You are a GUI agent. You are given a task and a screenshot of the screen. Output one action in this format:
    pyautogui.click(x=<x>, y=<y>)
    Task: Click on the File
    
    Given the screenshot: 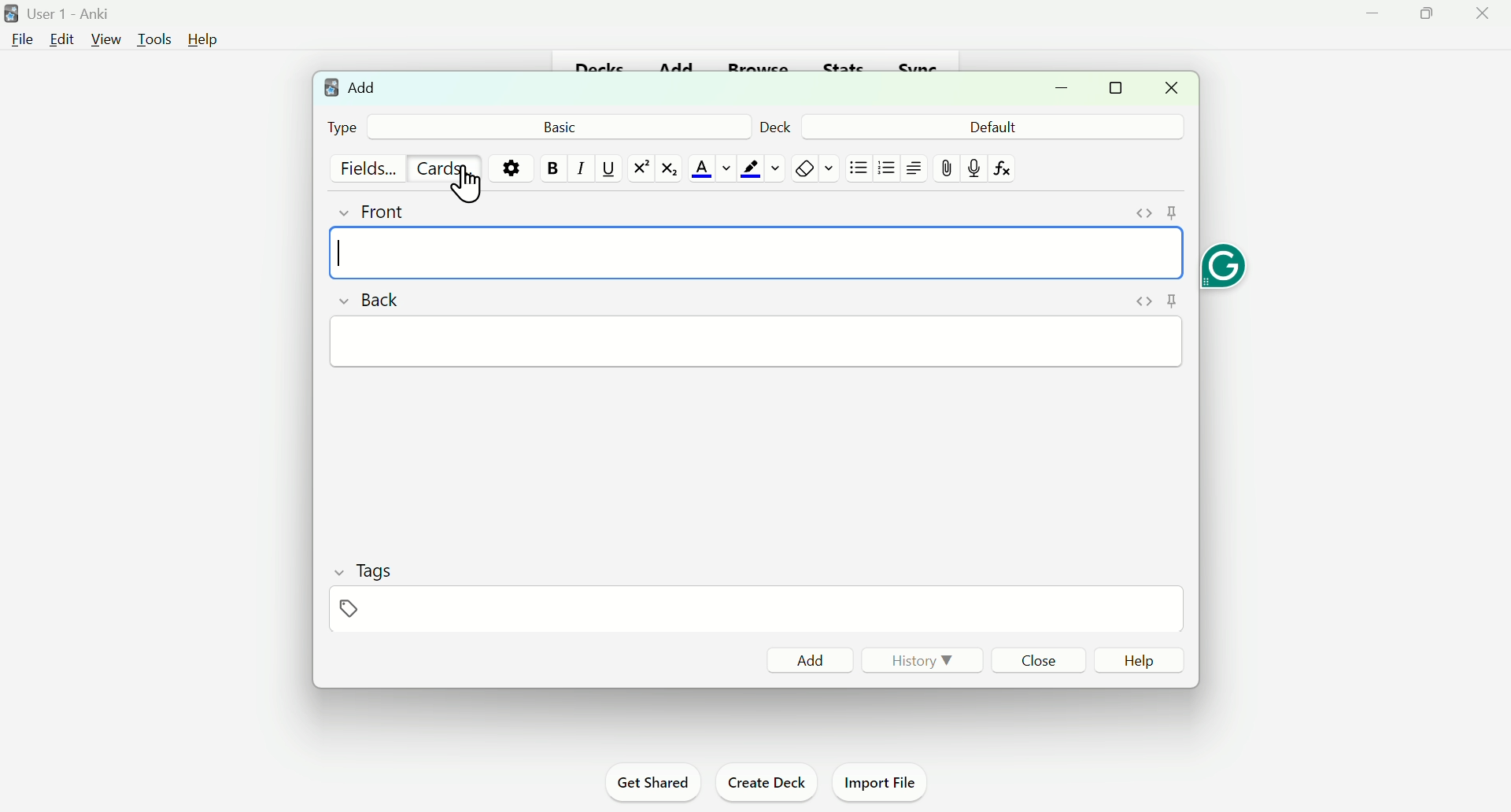 What is the action you would take?
    pyautogui.click(x=22, y=41)
    